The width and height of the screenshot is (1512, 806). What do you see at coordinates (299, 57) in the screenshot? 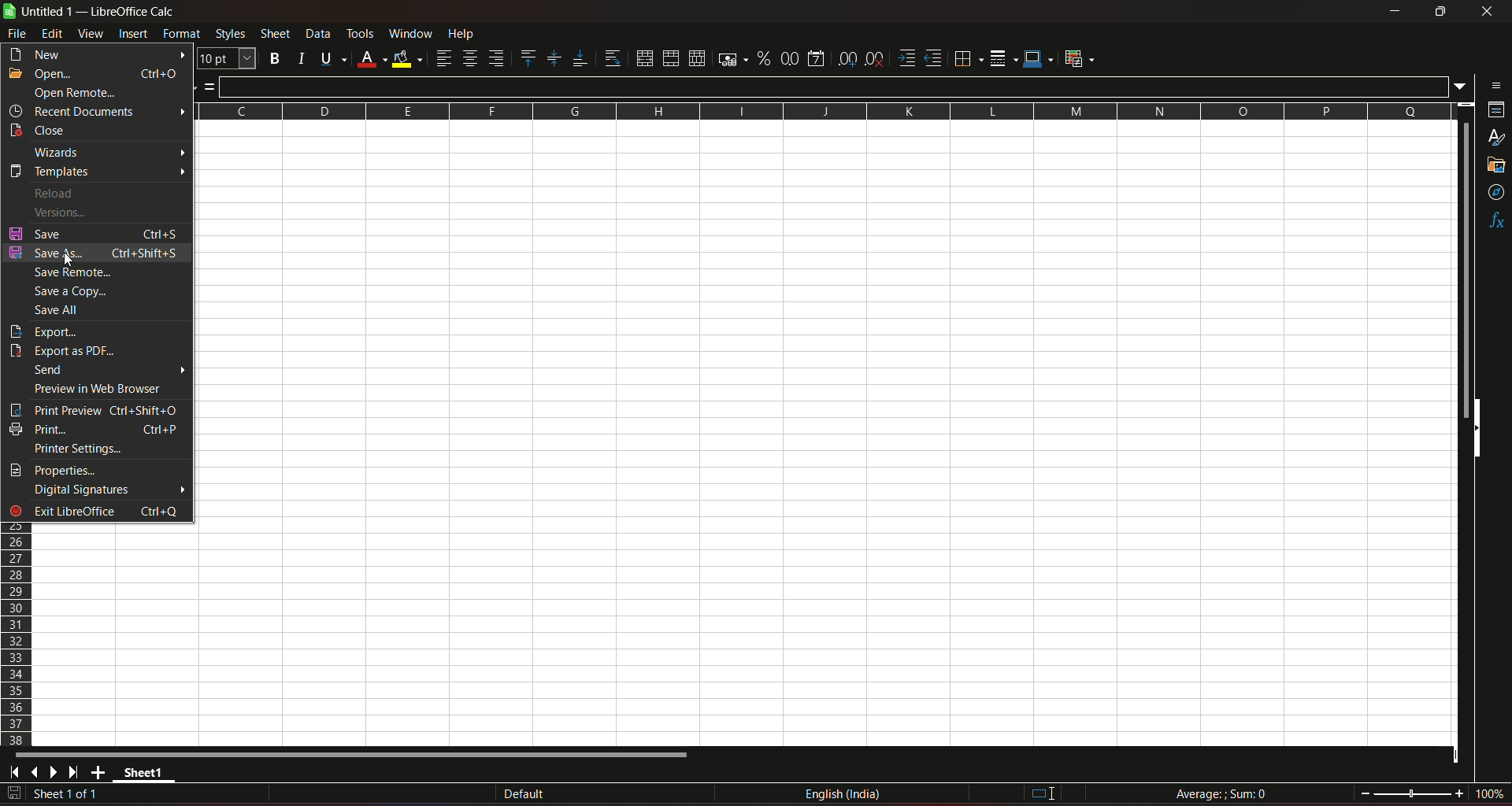
I see `italic` at bounding box center [299, 57].